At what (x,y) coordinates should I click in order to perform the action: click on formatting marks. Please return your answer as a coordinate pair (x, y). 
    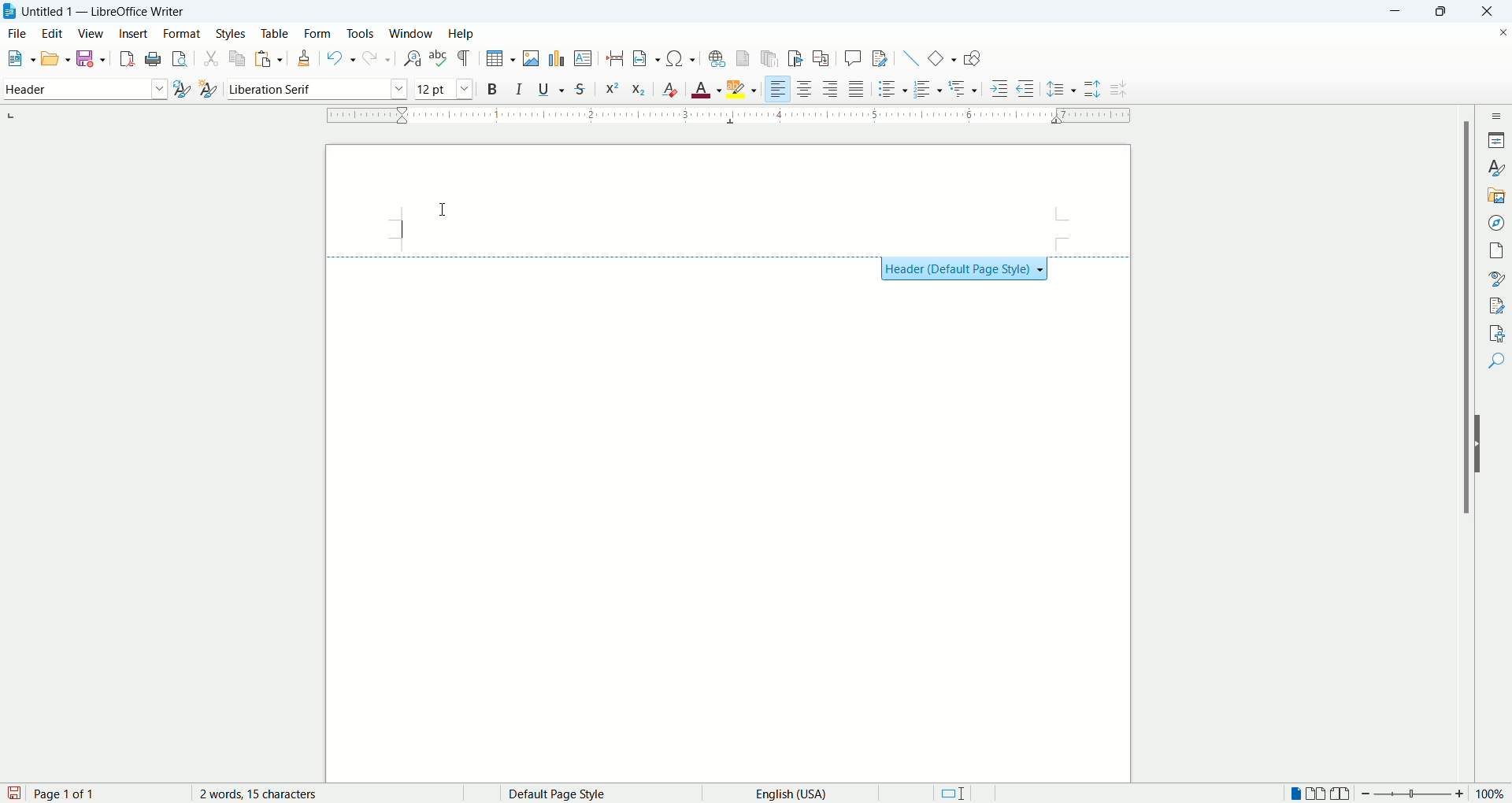
    Looking at the image, I should click on (464, 58).